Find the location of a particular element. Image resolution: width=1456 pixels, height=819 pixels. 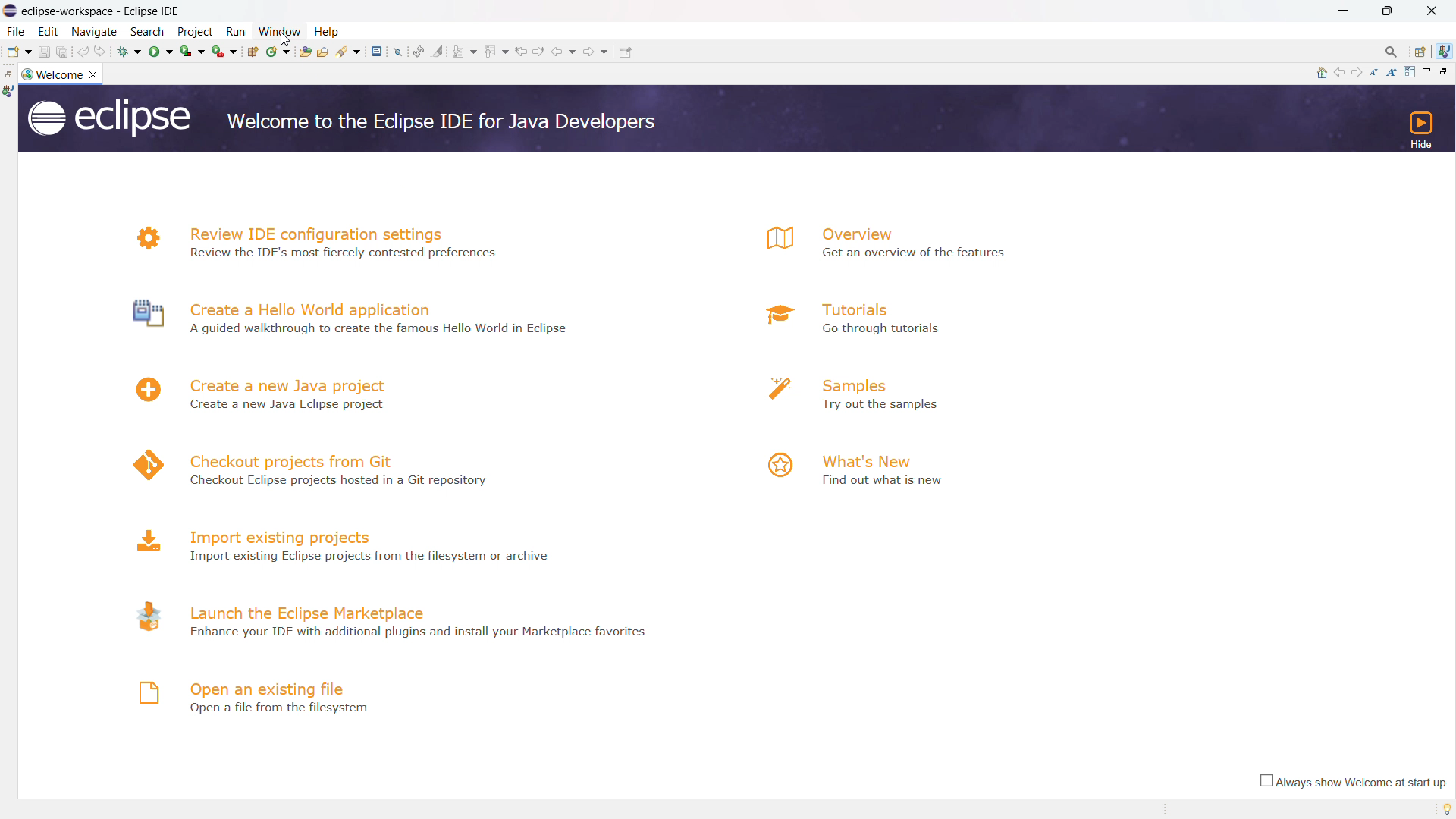

edit is located at coordinates (48, 31).